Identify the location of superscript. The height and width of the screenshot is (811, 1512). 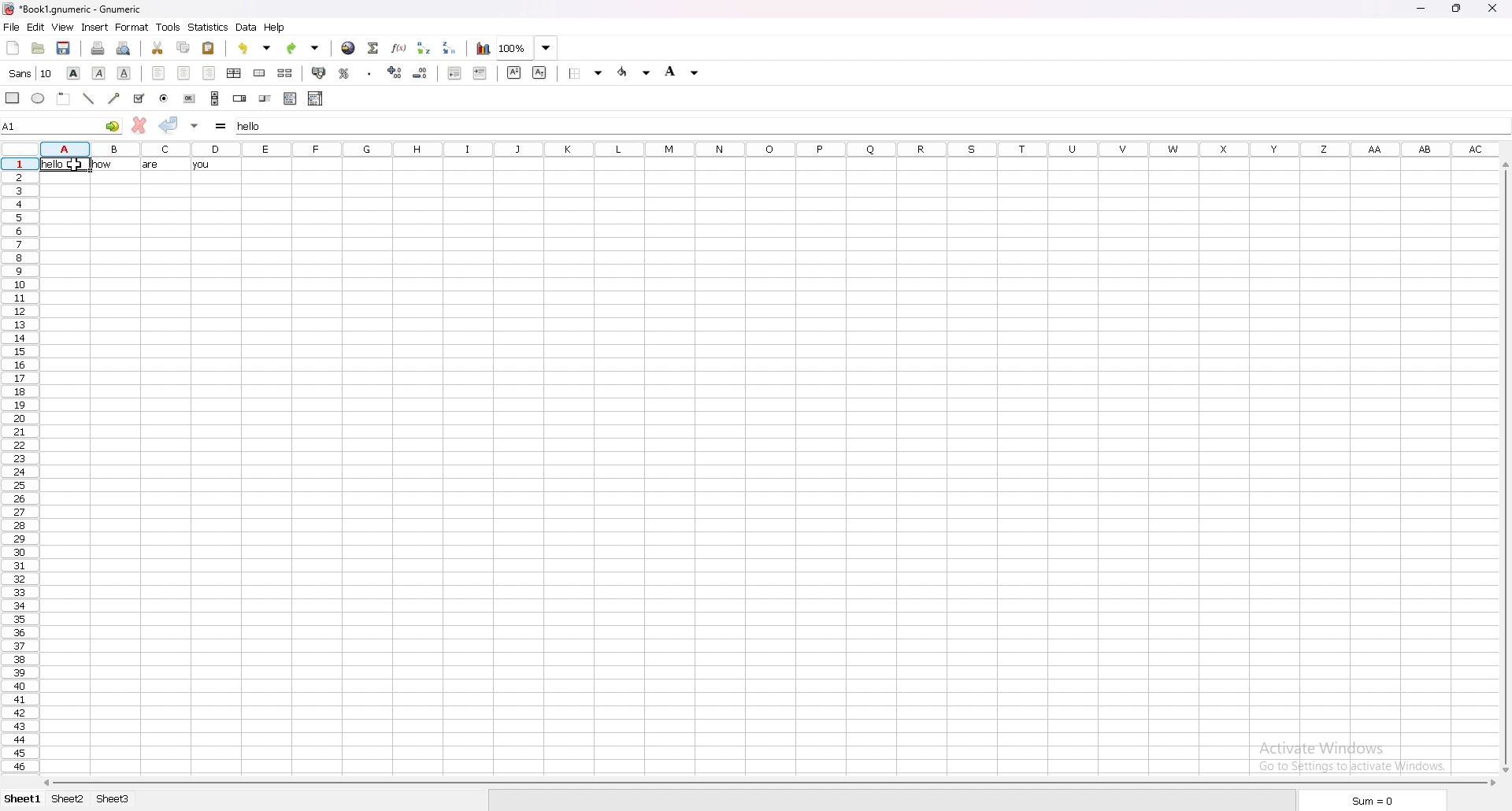
(513, 72).